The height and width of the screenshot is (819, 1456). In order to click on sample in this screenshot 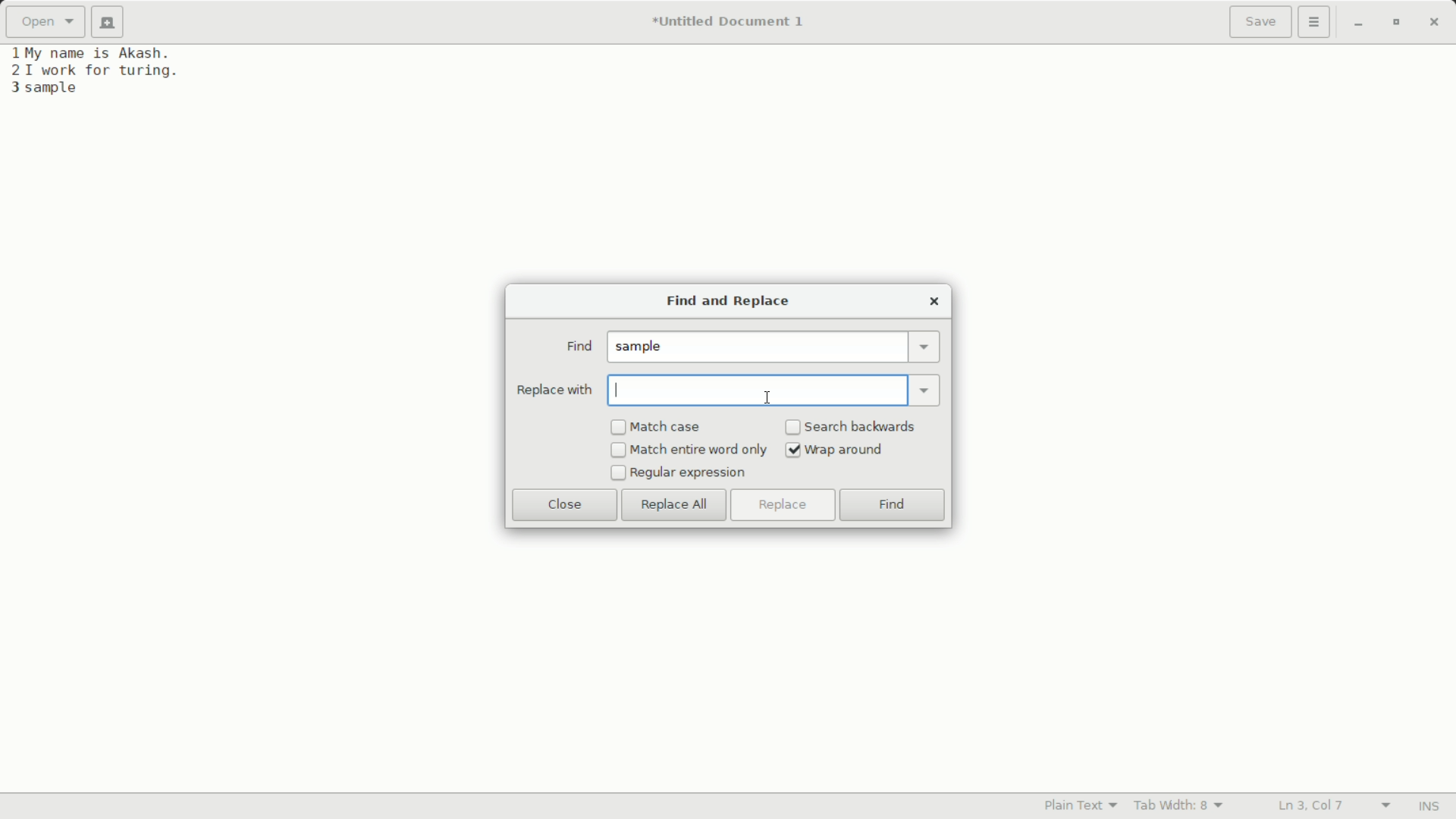, I will do `click(643, 347)`.